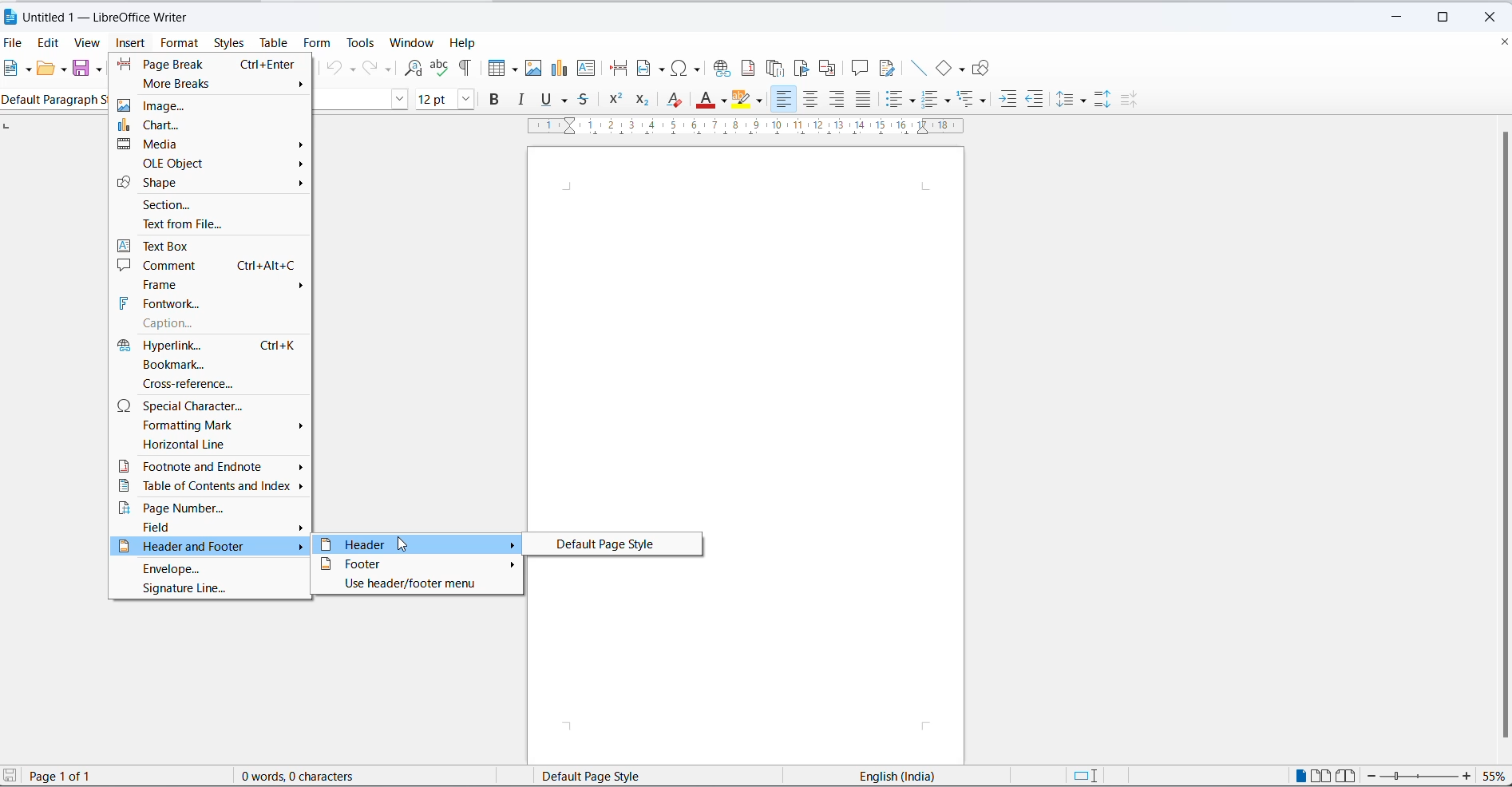 The height and width of the screenshot is (787, 1512). I want to click on subscript, so click(644, 101).